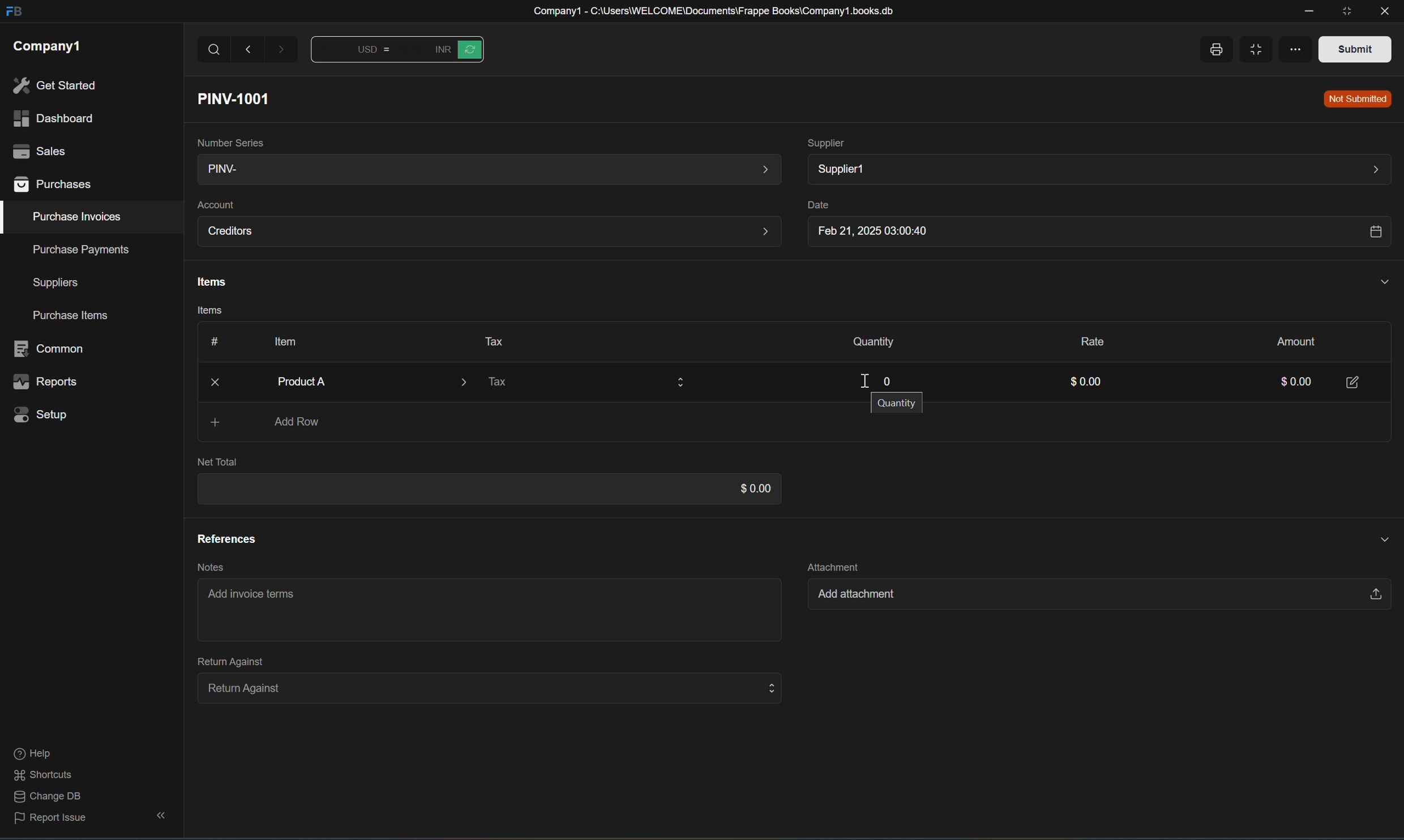  Describe the element at coordinates (72, 249) in the screenshot. I see `purchase payments` at that location.